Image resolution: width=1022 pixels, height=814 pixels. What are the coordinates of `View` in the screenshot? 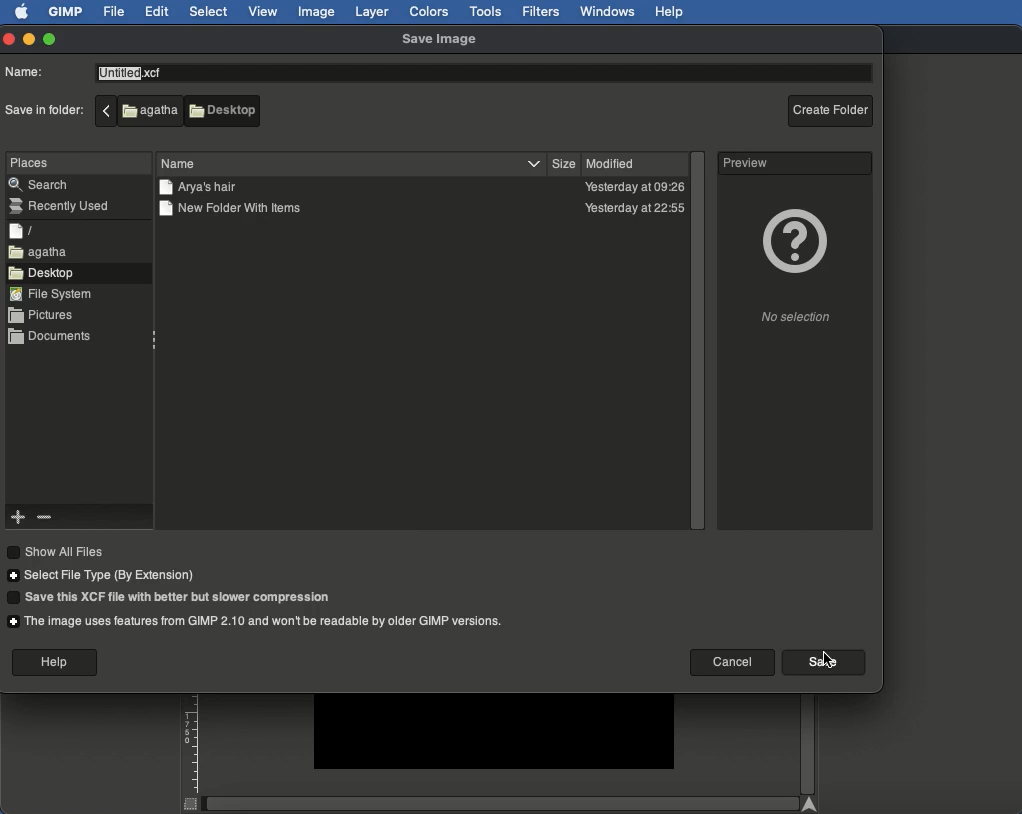 It's located at (265, 12).